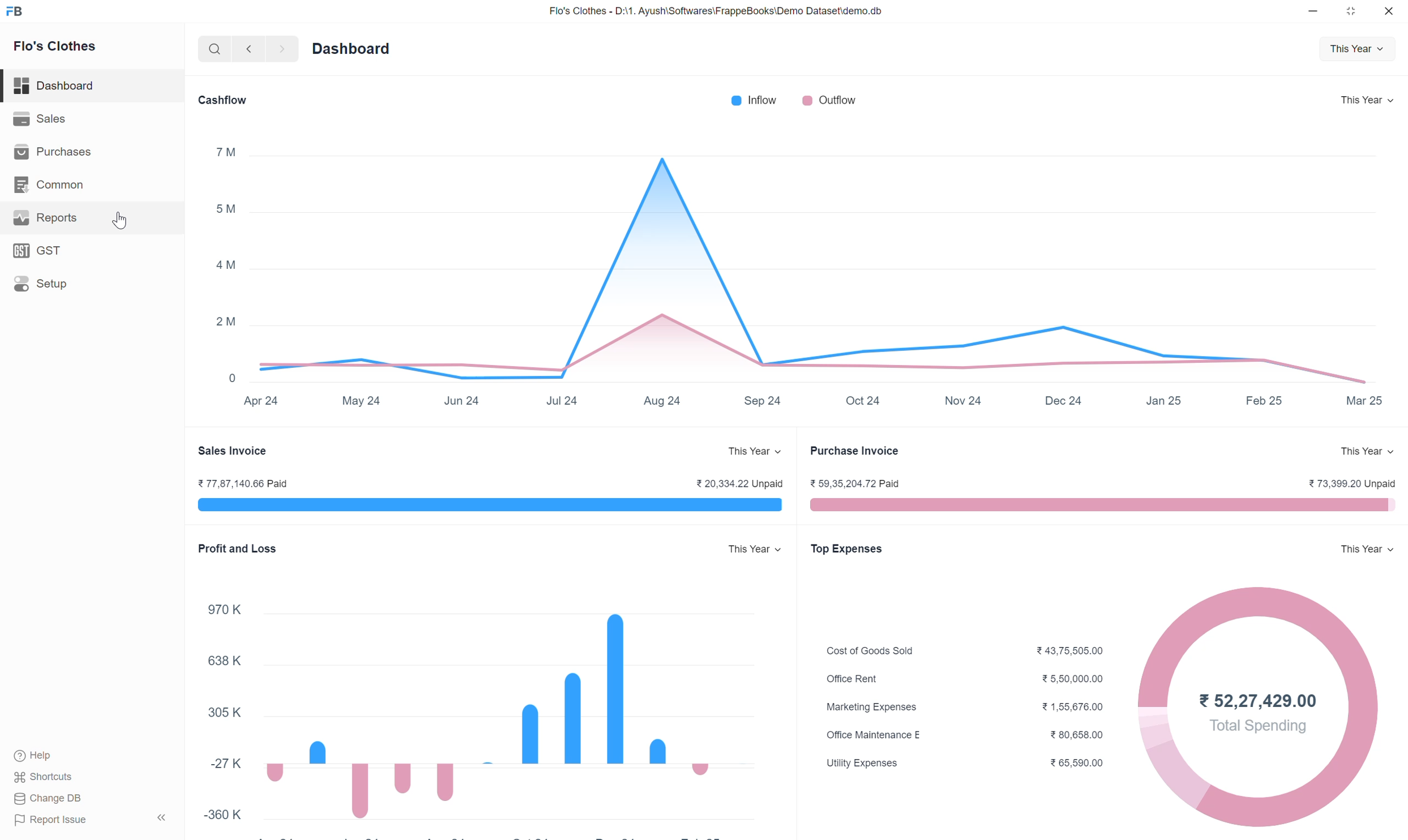  Describe the element at coordinates (252, 483) in the screenshot. I see `₹77,87,140.66 Paid` at that location.